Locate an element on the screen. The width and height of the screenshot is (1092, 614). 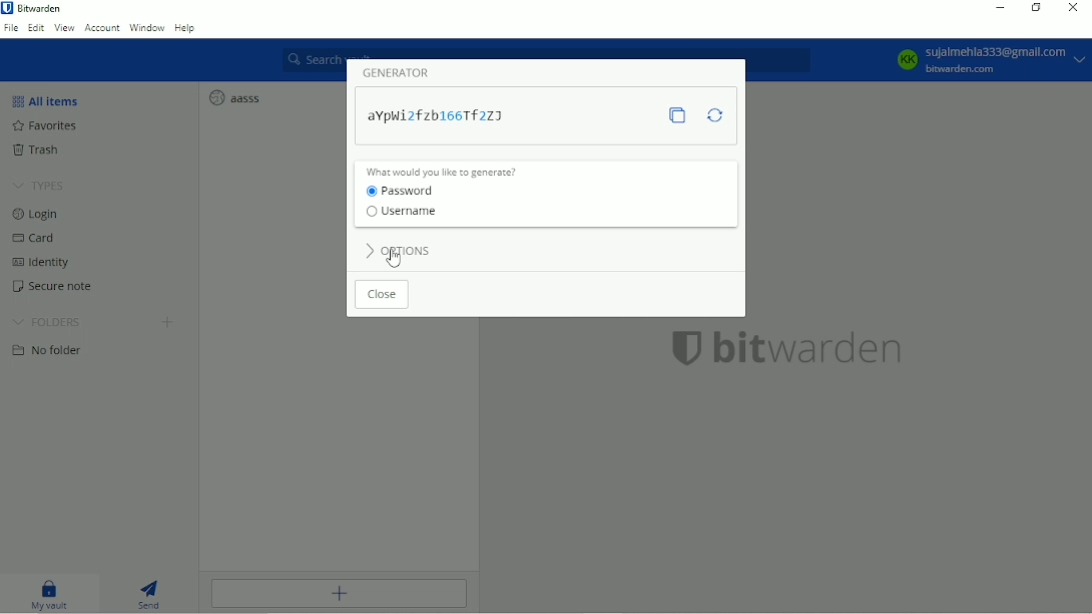
Account is located at coordinates (989, 61).